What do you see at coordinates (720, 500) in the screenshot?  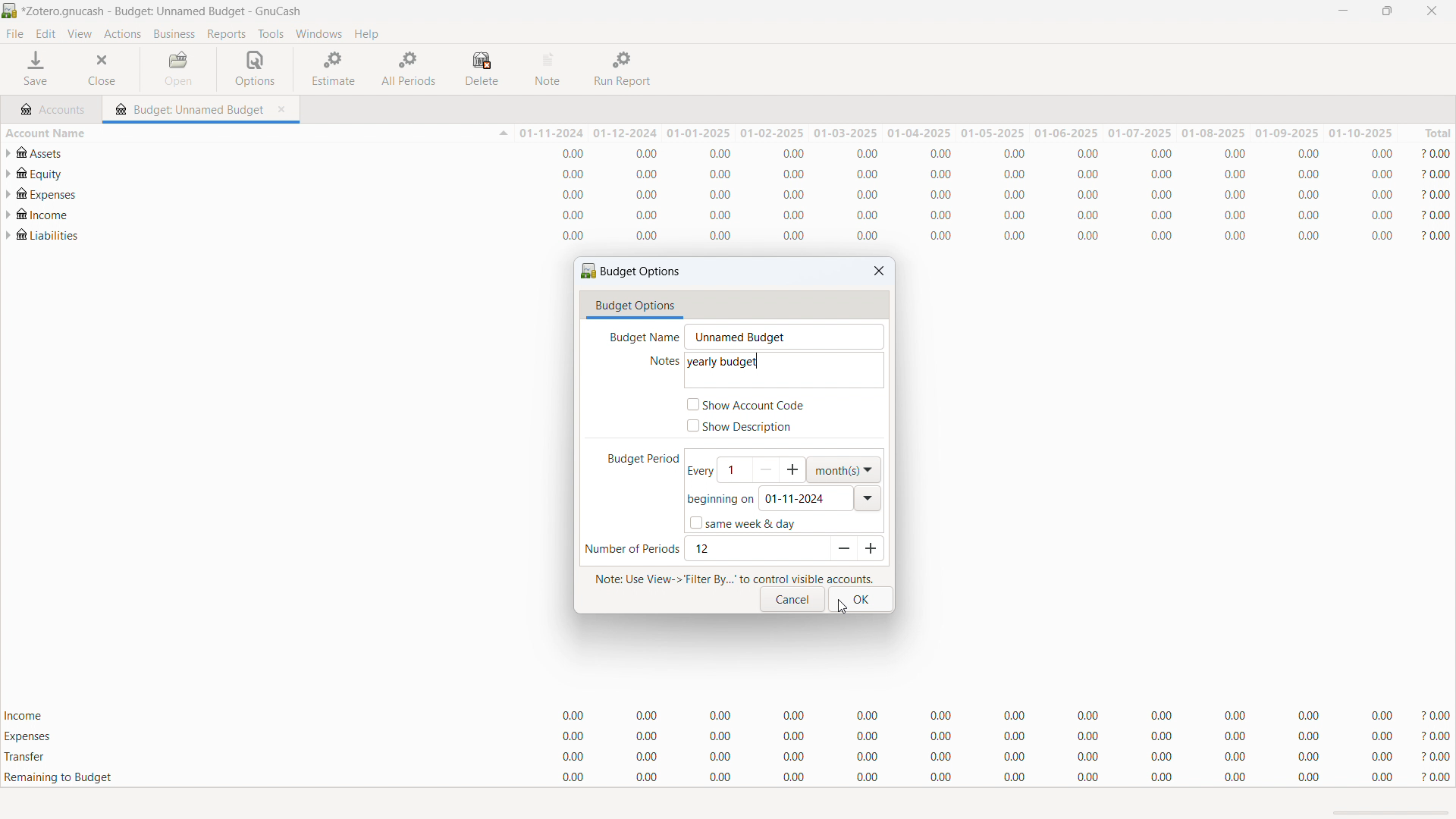 I see `beginning on` at bounding box center [720, 500].